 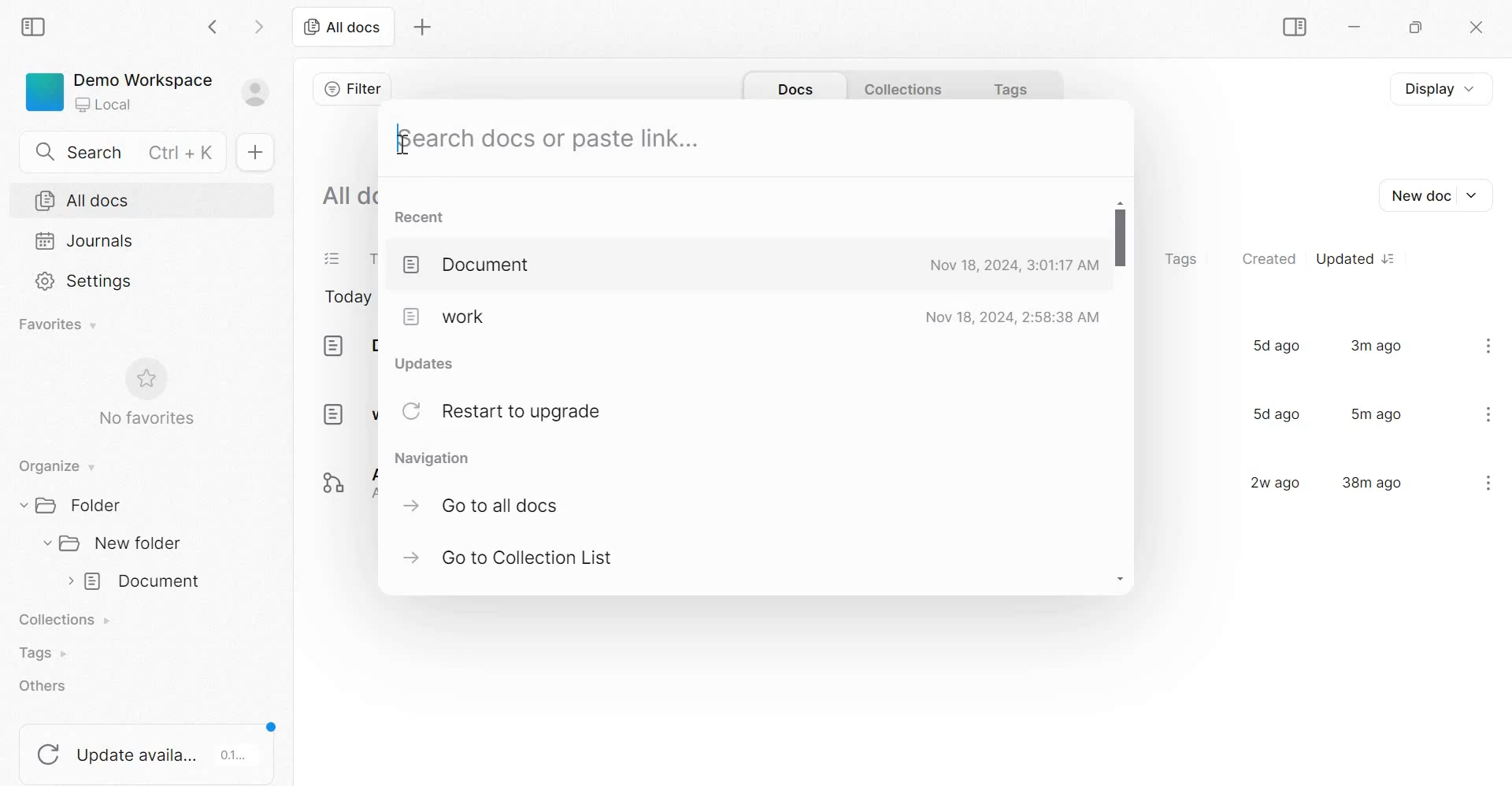 What do you see at coordinates (148, 95) in the screenshot?
I see `Demo workspace` at bounding box center [148, 95].